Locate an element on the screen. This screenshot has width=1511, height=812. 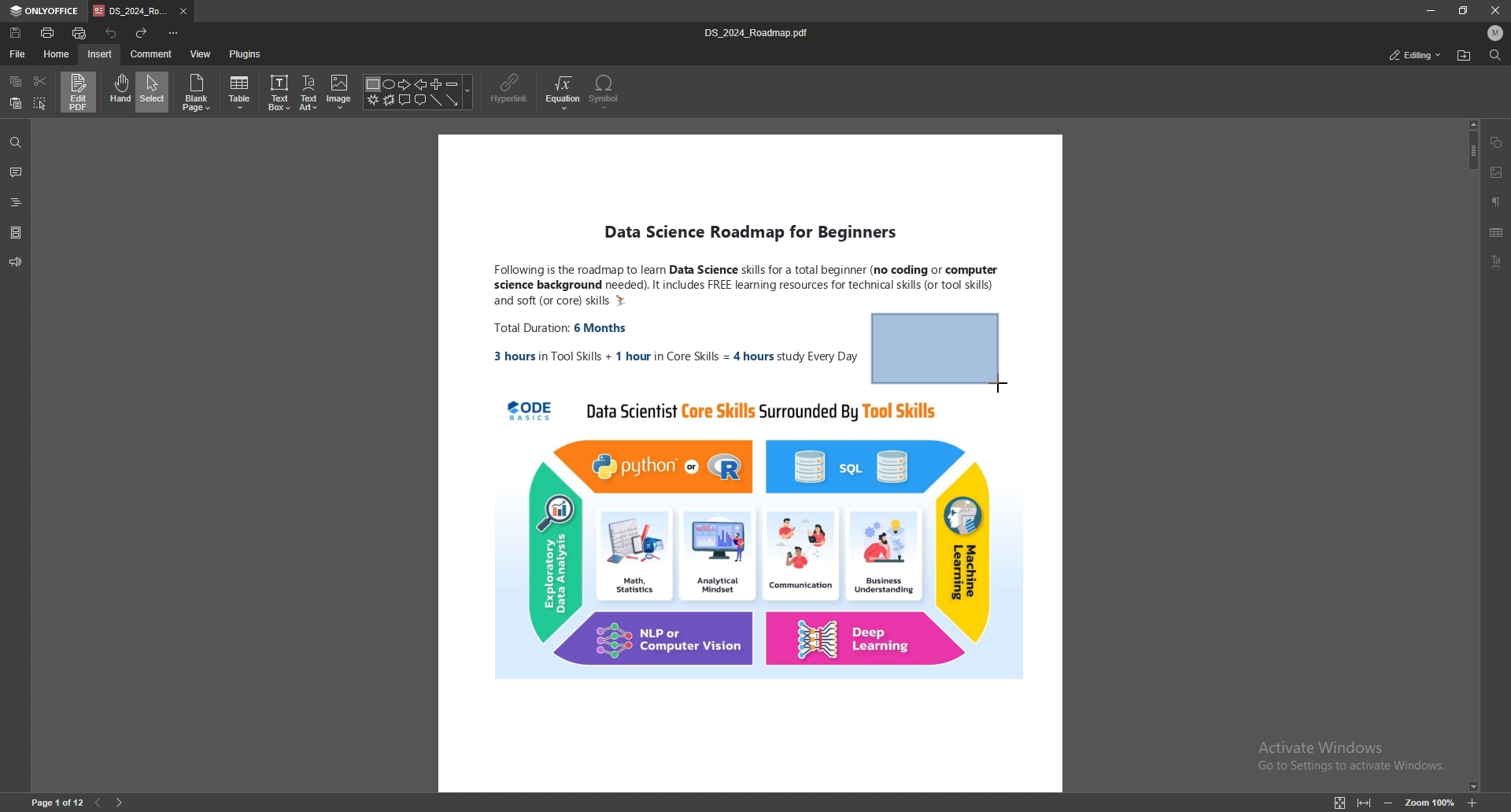
tab is located at coordinates (131, 12).